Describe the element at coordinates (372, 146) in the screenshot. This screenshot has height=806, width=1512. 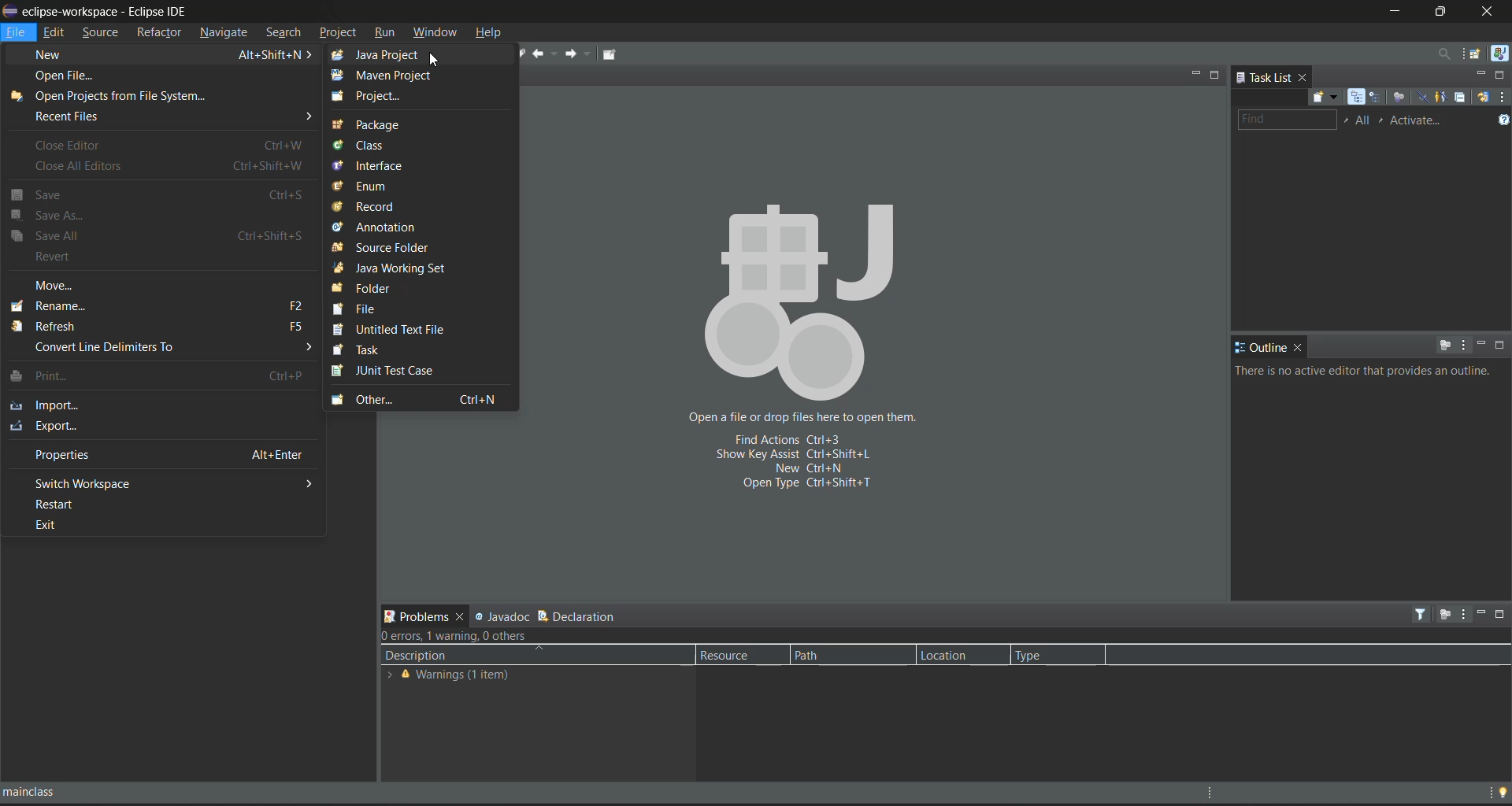
I see `class` at that location.